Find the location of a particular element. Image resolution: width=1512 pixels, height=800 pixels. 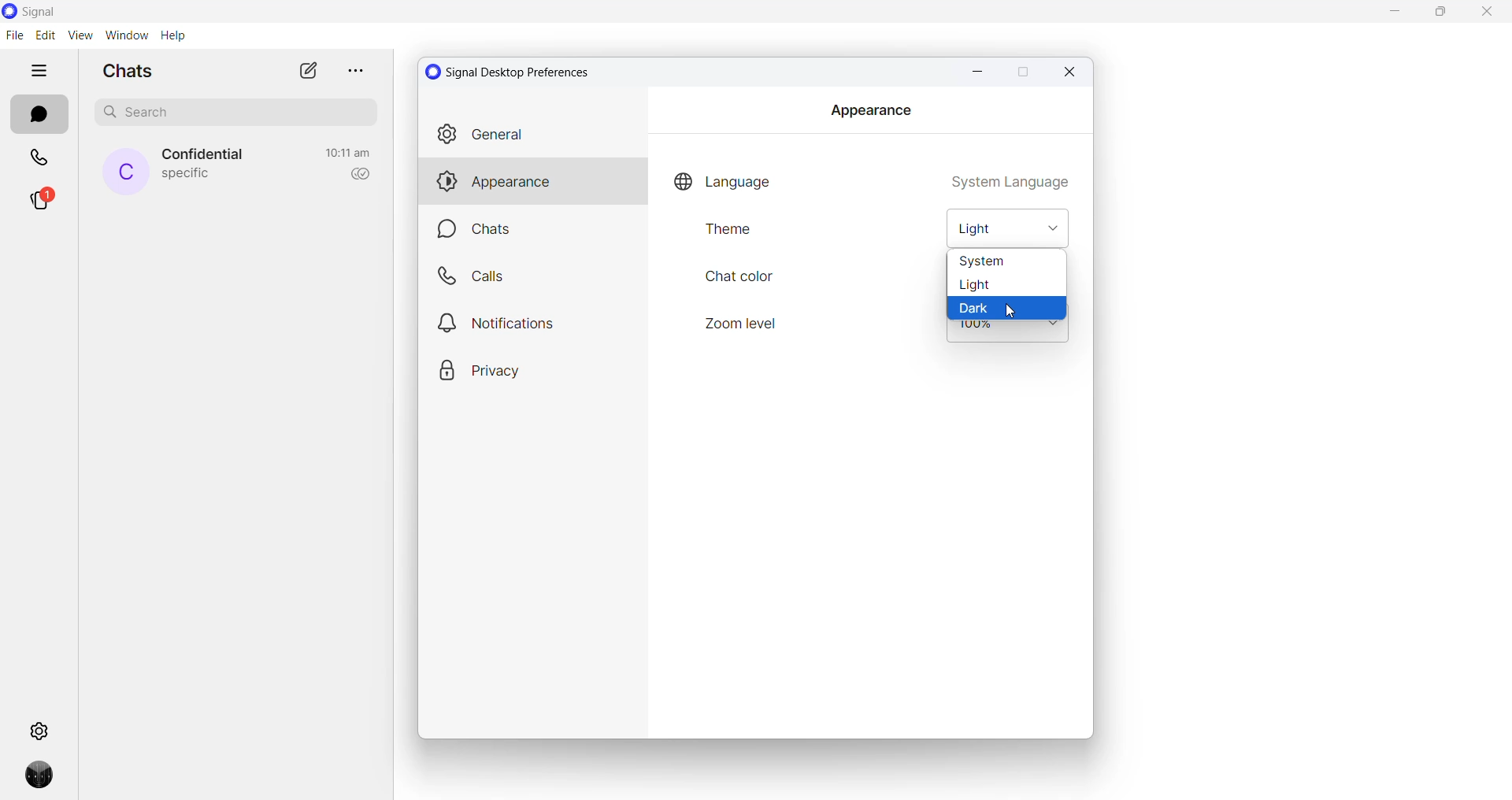

zoom level is located at coordinates (1007, 334).